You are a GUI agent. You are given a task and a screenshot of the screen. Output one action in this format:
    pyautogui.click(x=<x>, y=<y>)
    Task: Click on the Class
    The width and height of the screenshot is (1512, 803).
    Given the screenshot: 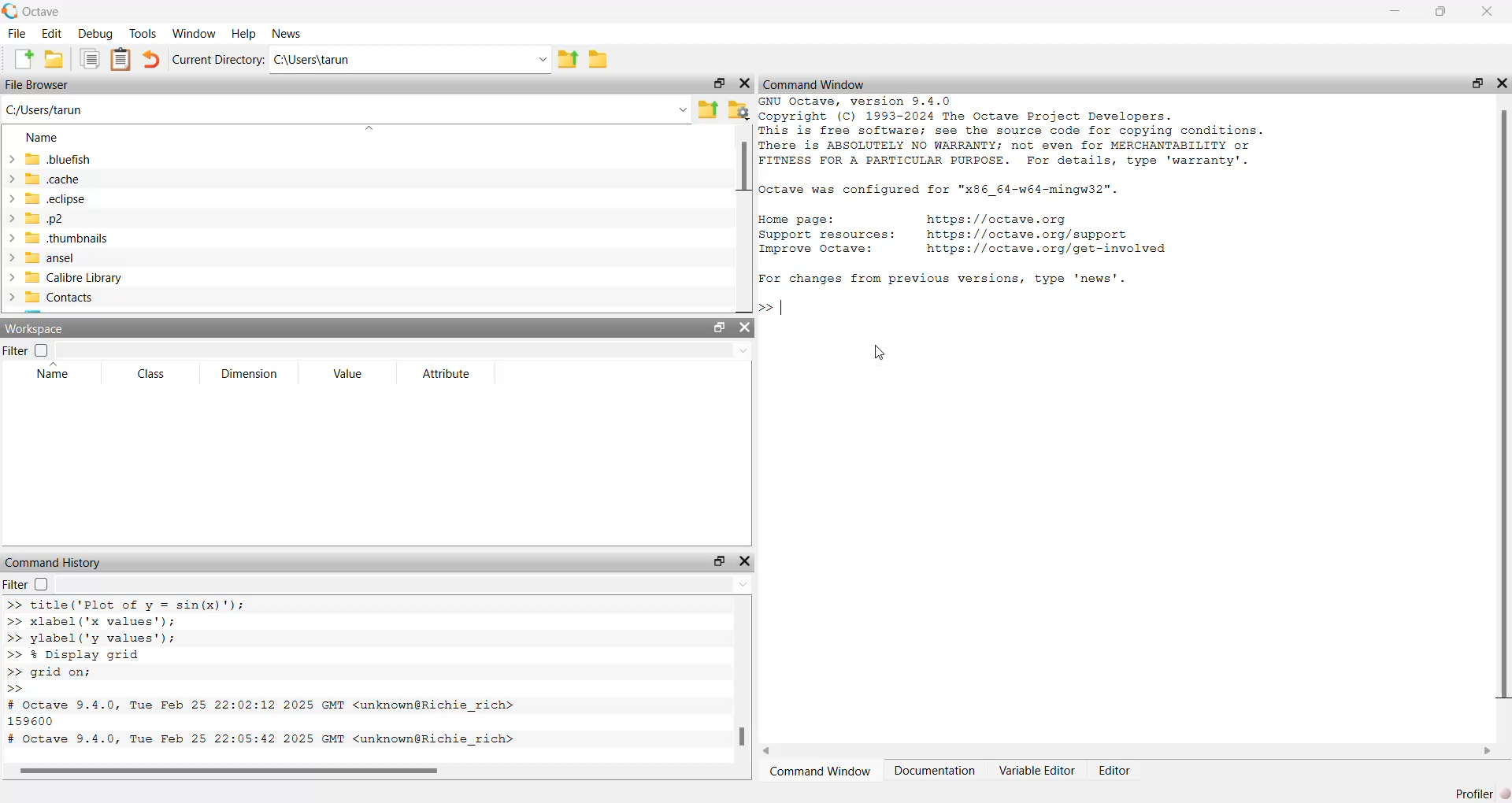 What is the action you would take?
    pyautogui.click(x=151, y=373)
    